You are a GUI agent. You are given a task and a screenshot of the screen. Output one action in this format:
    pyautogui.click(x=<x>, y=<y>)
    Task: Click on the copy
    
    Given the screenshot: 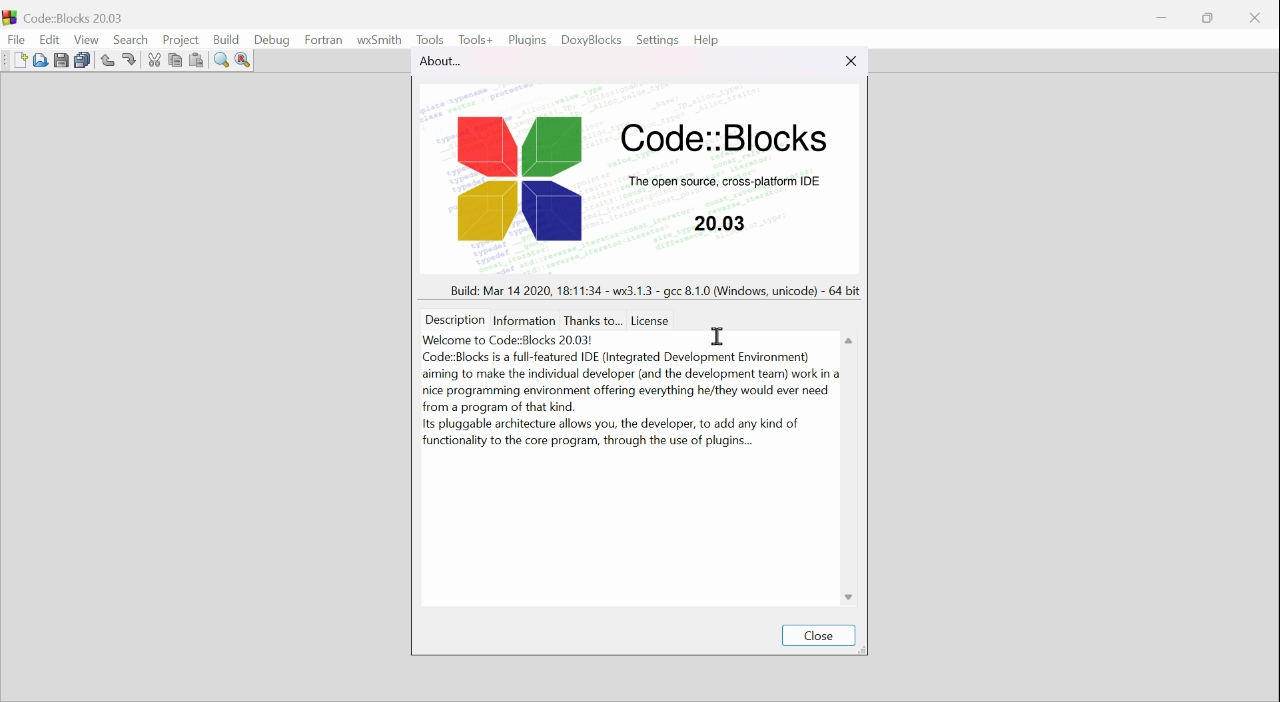 What is the action you would take?
    pyautogui.click(x=173, y=59)
    